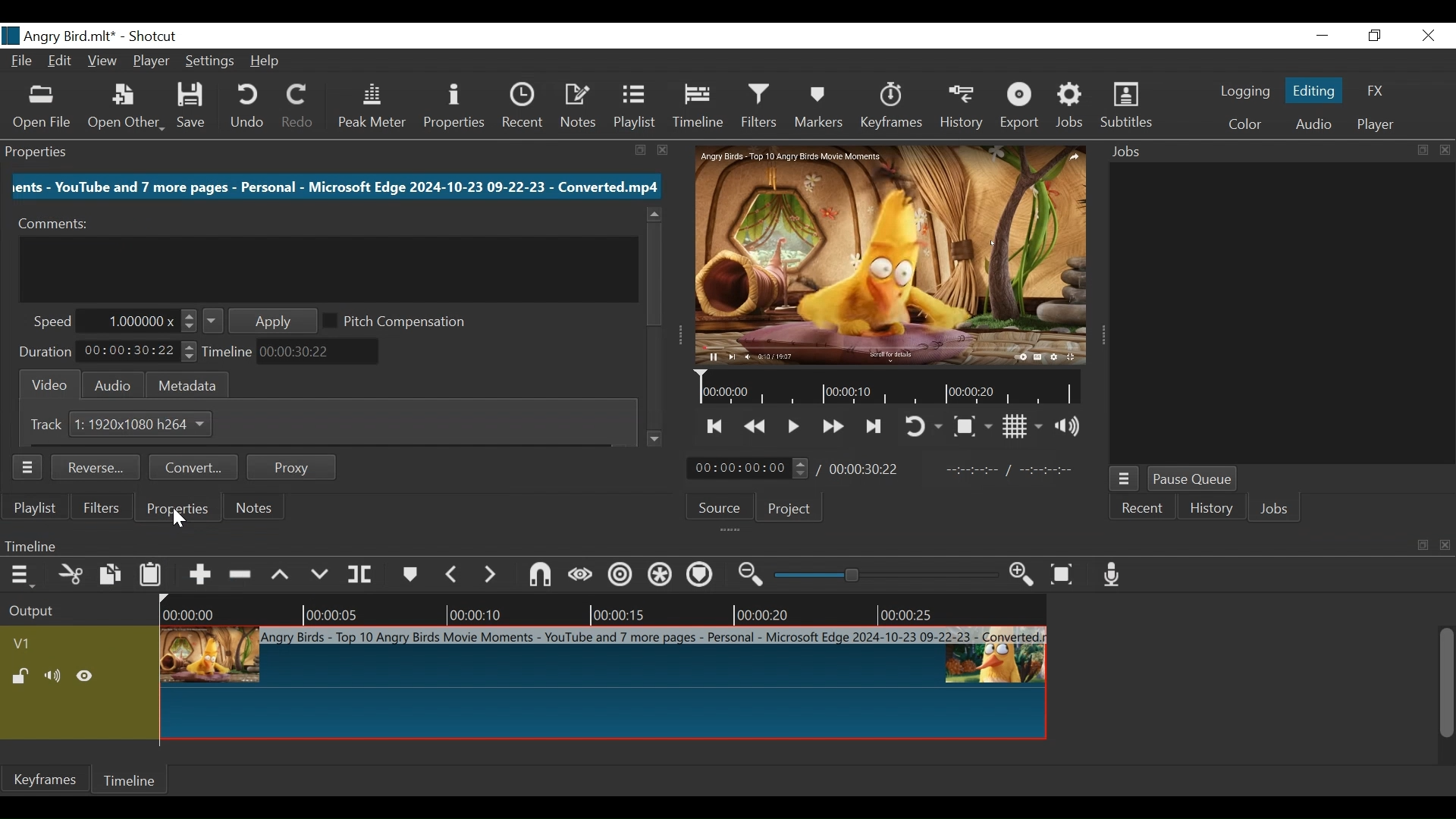 This screenshot has height=819, width=1456. I want to click on Play forward quickly, so click(832, 427).